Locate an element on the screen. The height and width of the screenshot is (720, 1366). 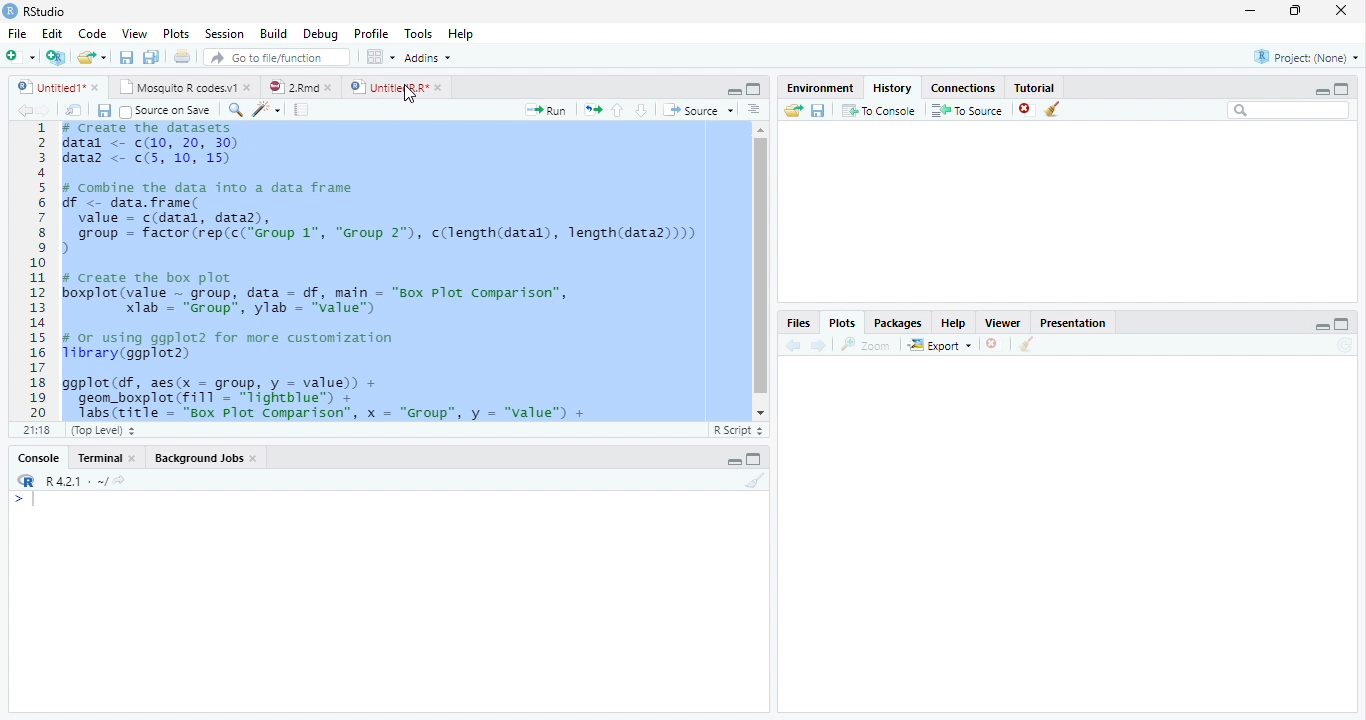
Maximize is located at coordinates (754, 459).